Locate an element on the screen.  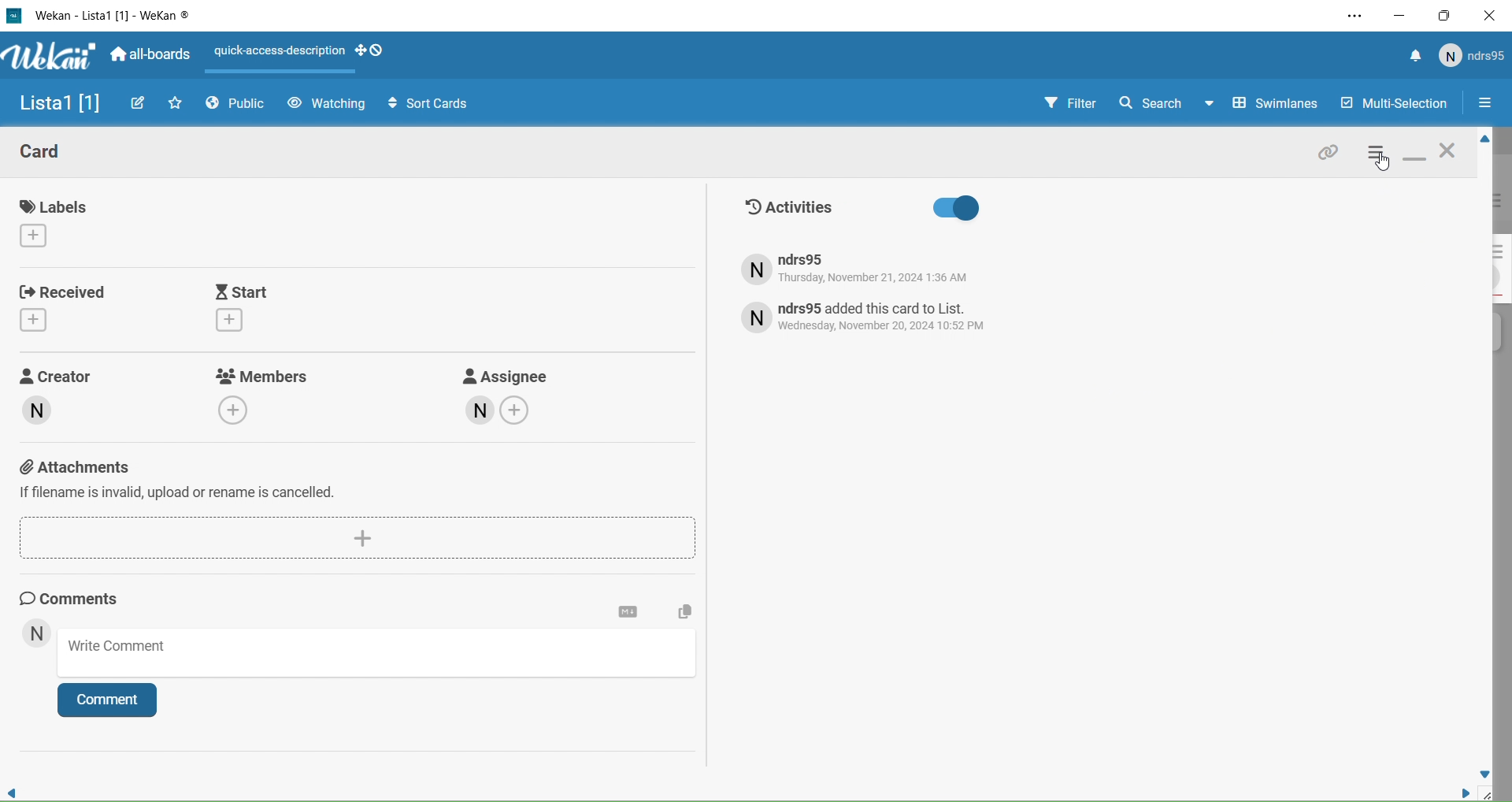
Public is located at coordinates (238, 106).